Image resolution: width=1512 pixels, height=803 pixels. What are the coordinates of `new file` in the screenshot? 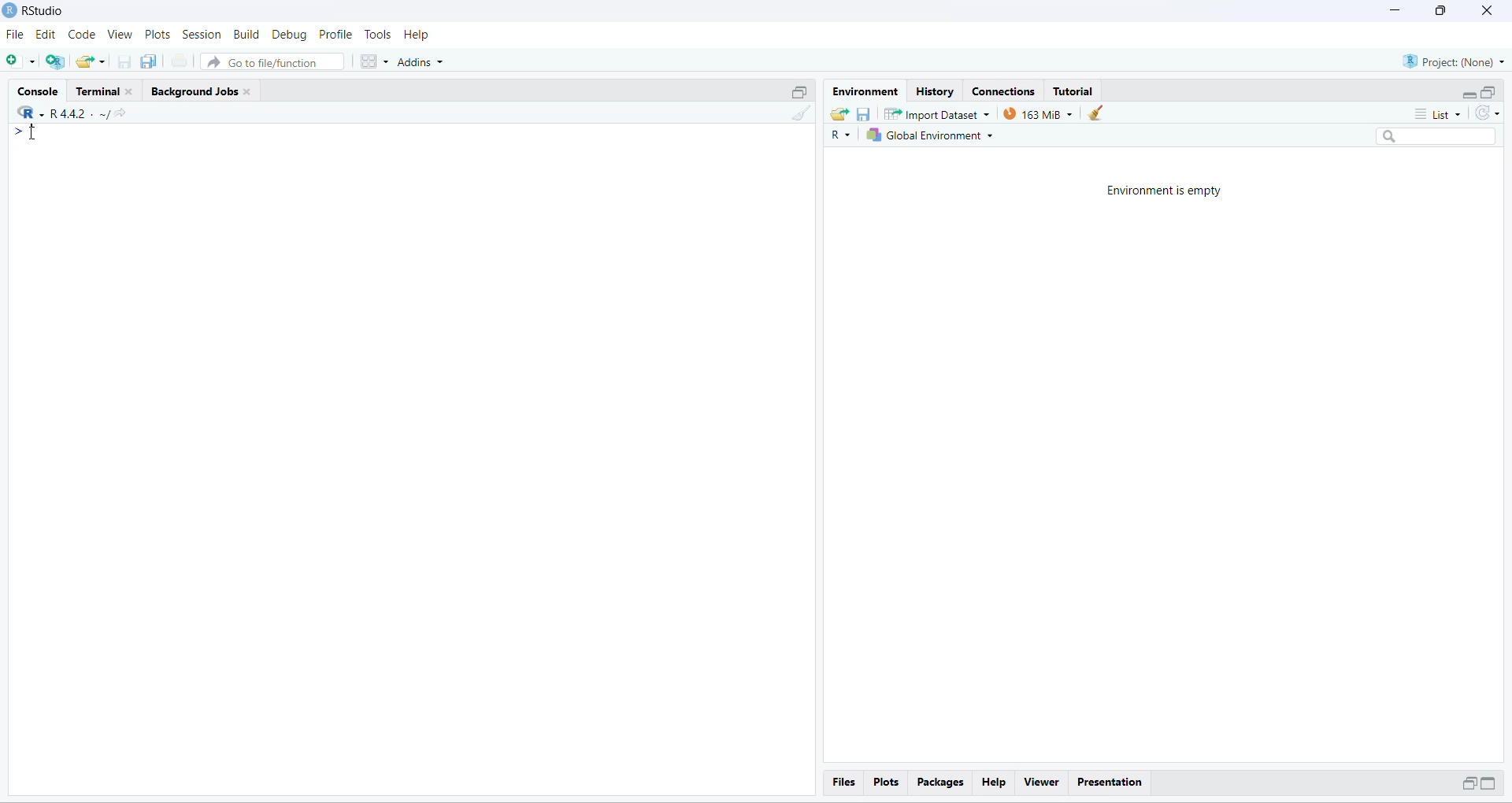 It's located at (17, 59).